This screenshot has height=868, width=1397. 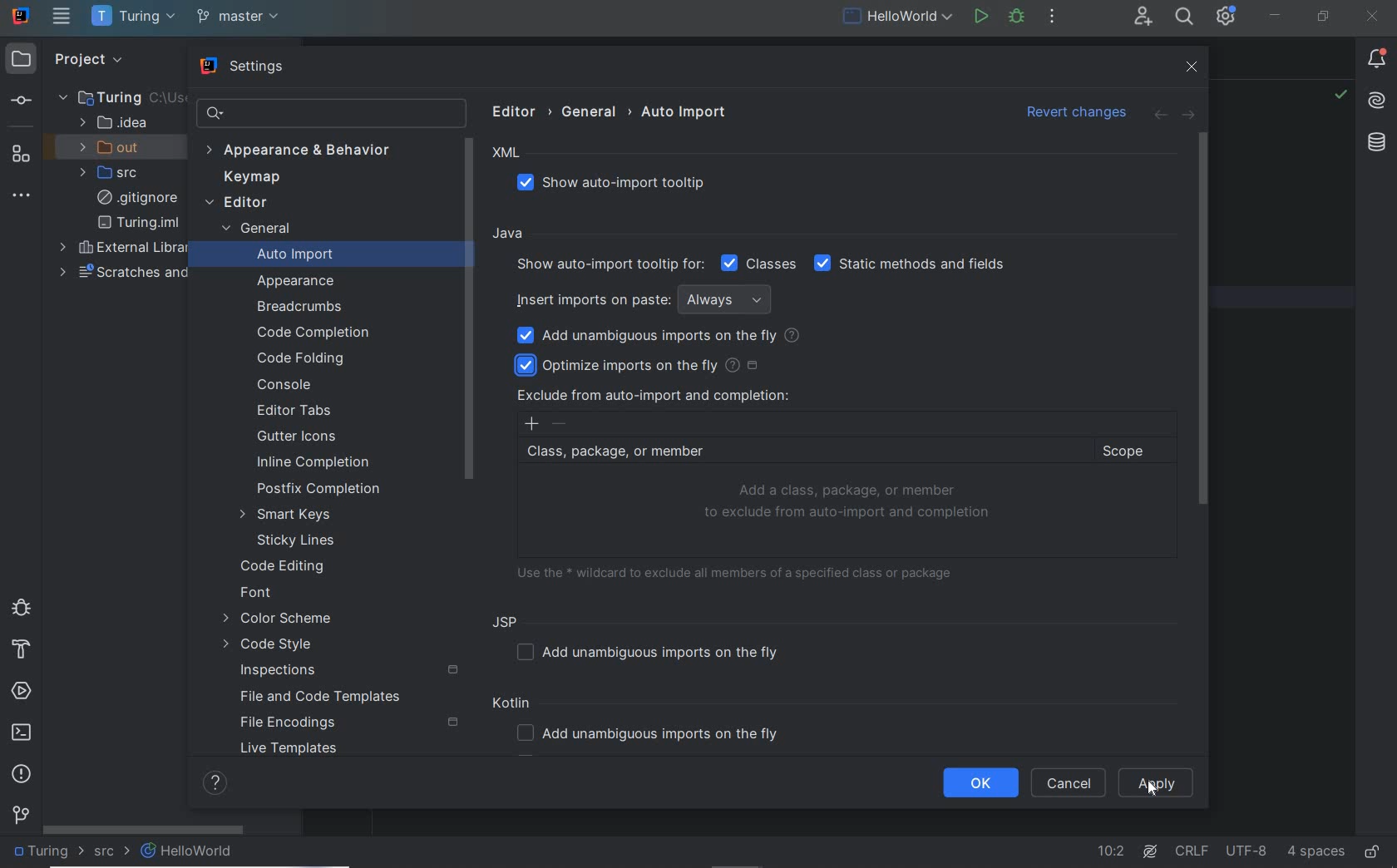 What do you see at coordinates (350, 671) in the screenshot?
I see `INSPECTIONS` at bounding box center [350, 671].